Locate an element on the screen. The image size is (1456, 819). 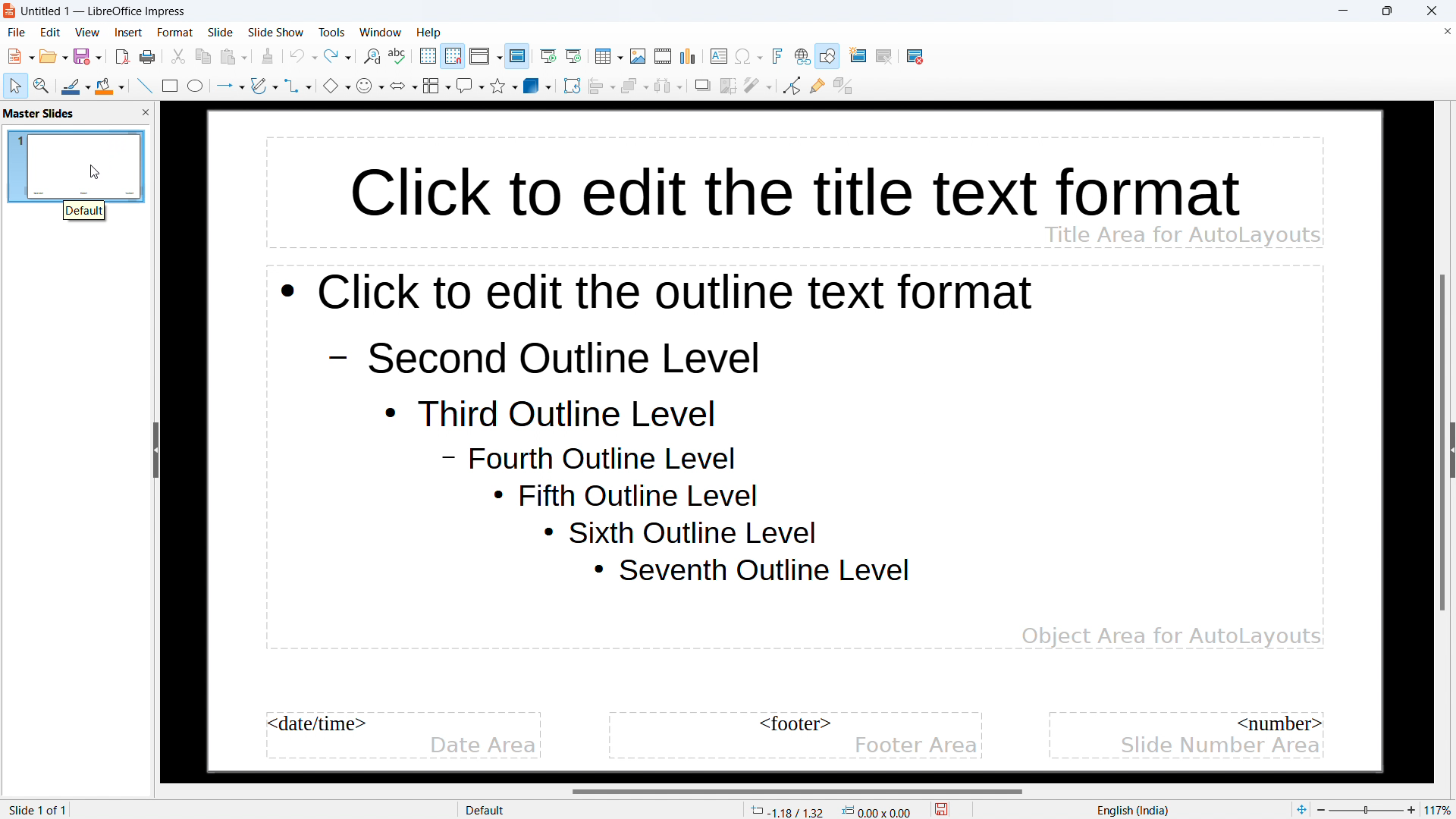
align objects is located at coordinates (601, 86).